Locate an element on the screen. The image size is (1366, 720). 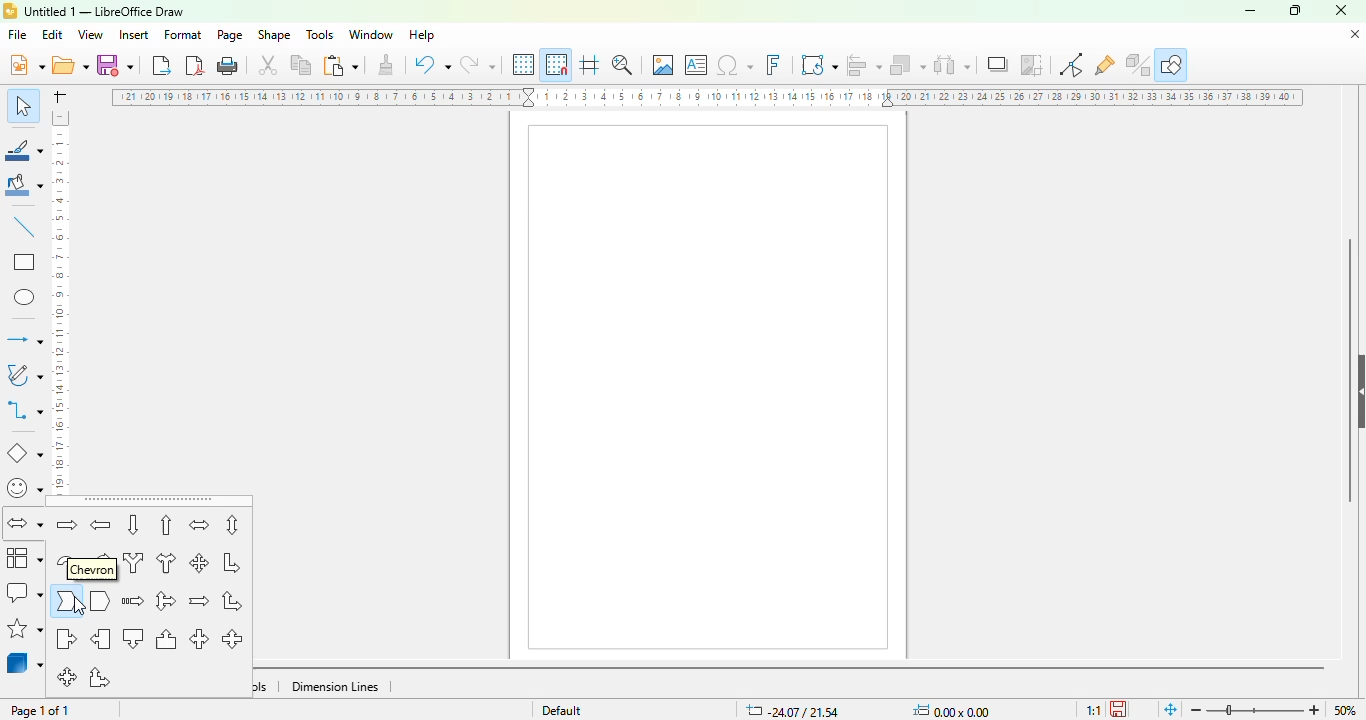
50% is located at coordinates (1345, 710).